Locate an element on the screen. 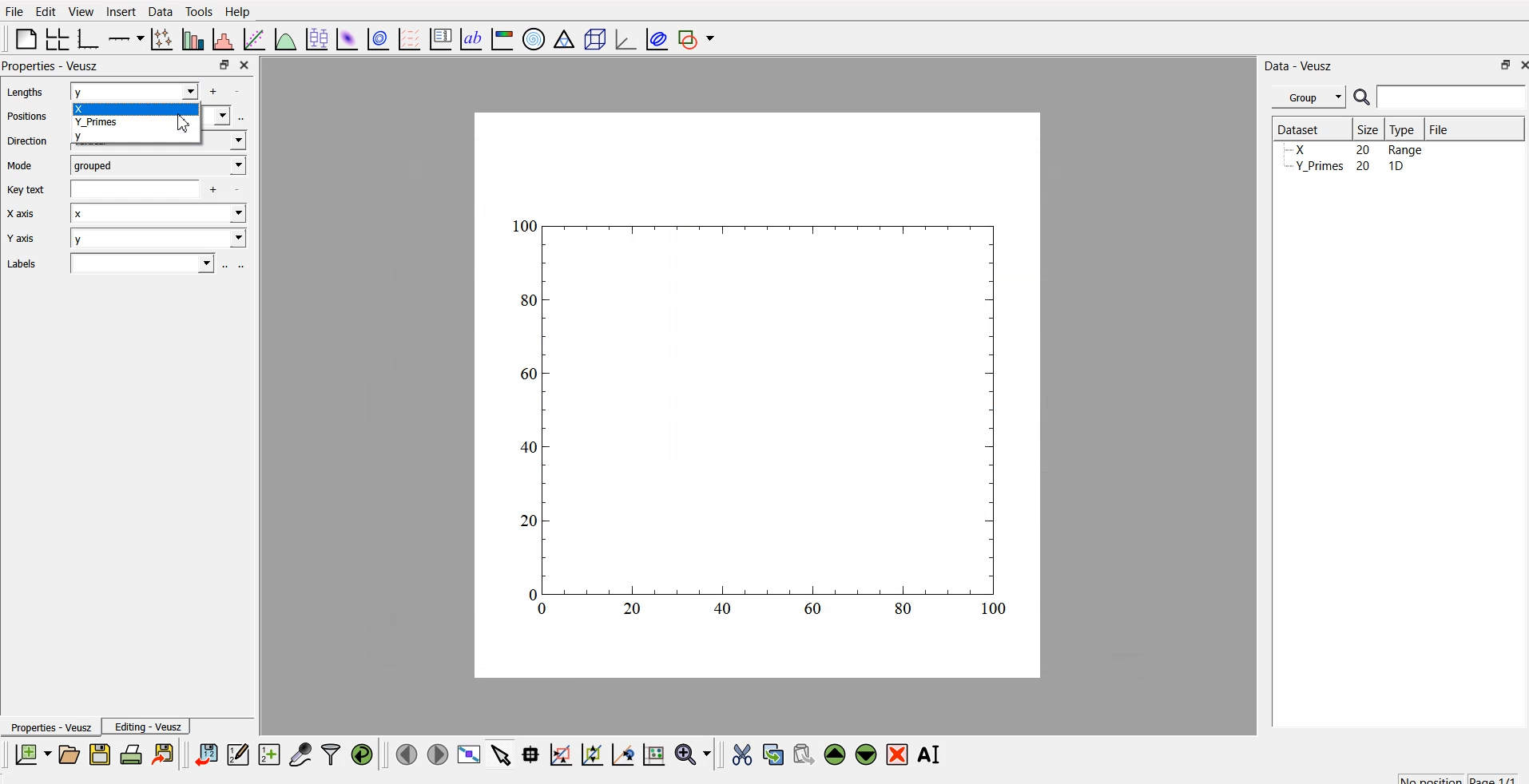 The width and height of the screenshot is (1529, 784). Ternary graph is located at coordinates (565, 38).